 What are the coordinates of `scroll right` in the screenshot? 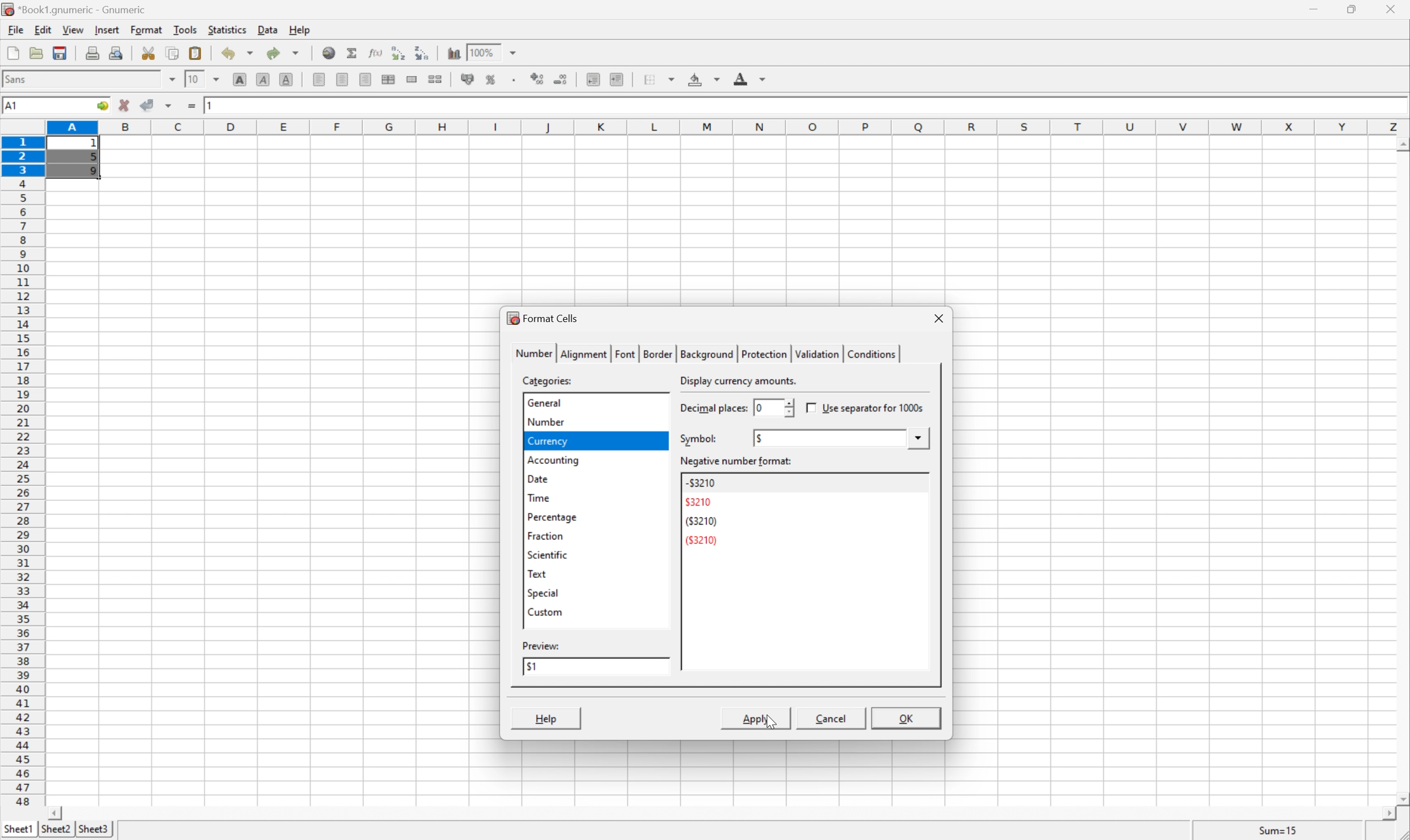 It's located at (1388, 814).